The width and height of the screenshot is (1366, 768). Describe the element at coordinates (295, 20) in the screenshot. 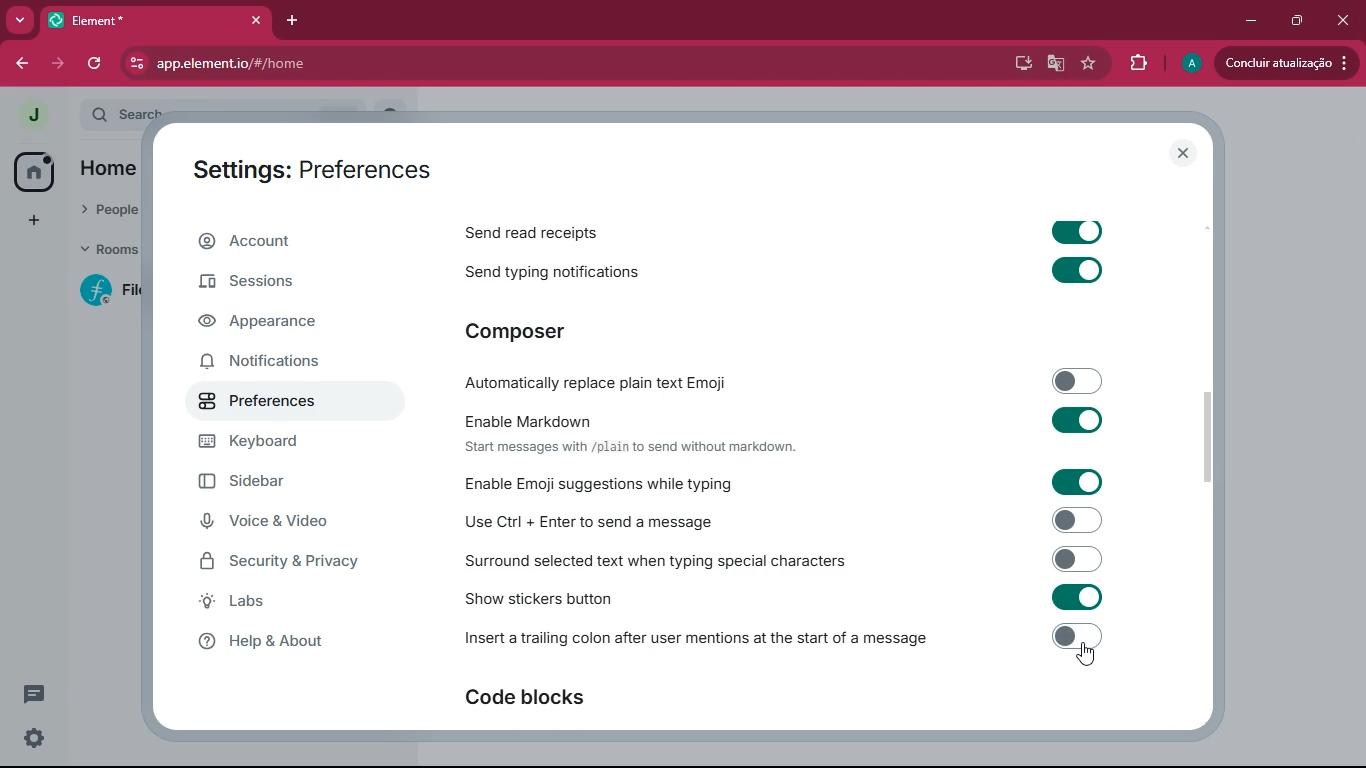

I see `add tab` at that location.